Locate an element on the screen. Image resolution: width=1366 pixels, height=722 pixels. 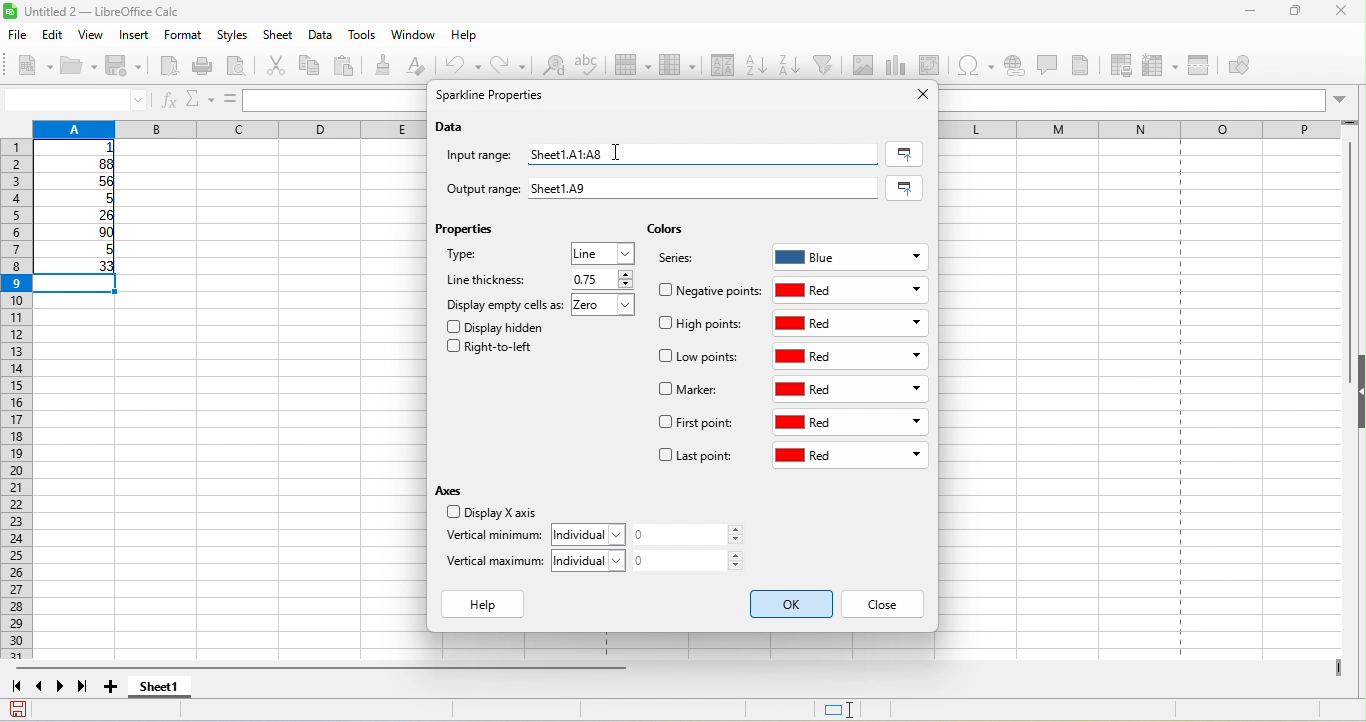
88 is located at coordinates (77, 164).